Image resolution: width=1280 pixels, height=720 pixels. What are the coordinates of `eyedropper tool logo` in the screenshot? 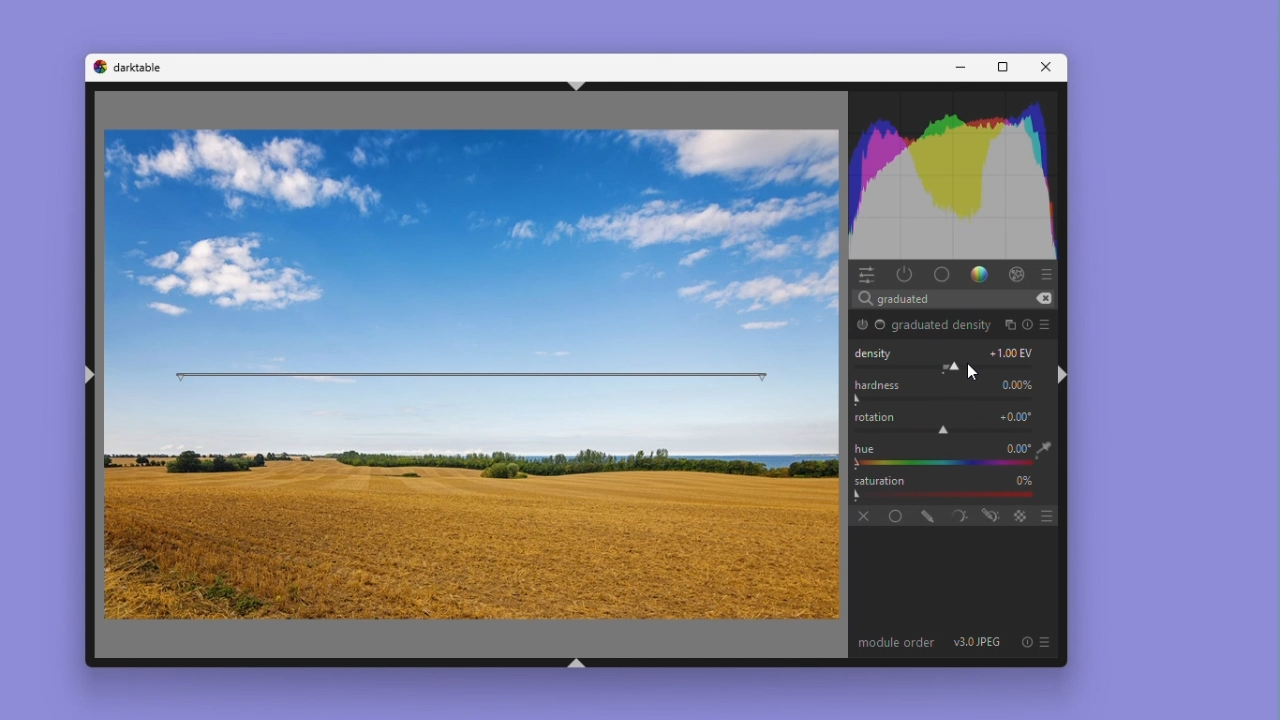 It's located at (1045, 449).